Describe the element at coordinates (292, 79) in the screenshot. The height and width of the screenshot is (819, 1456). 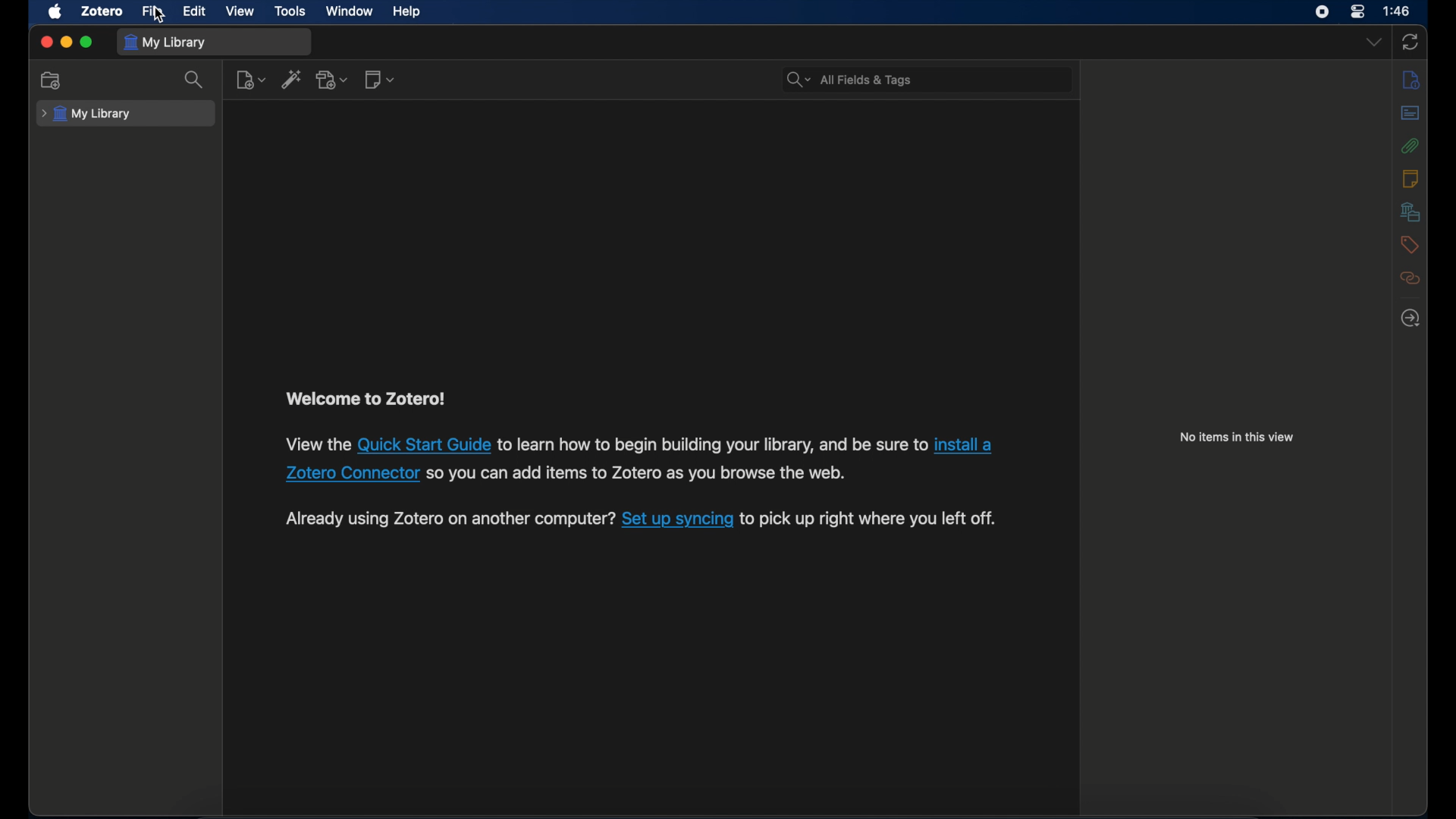
I see `add item by identifier` at that location.